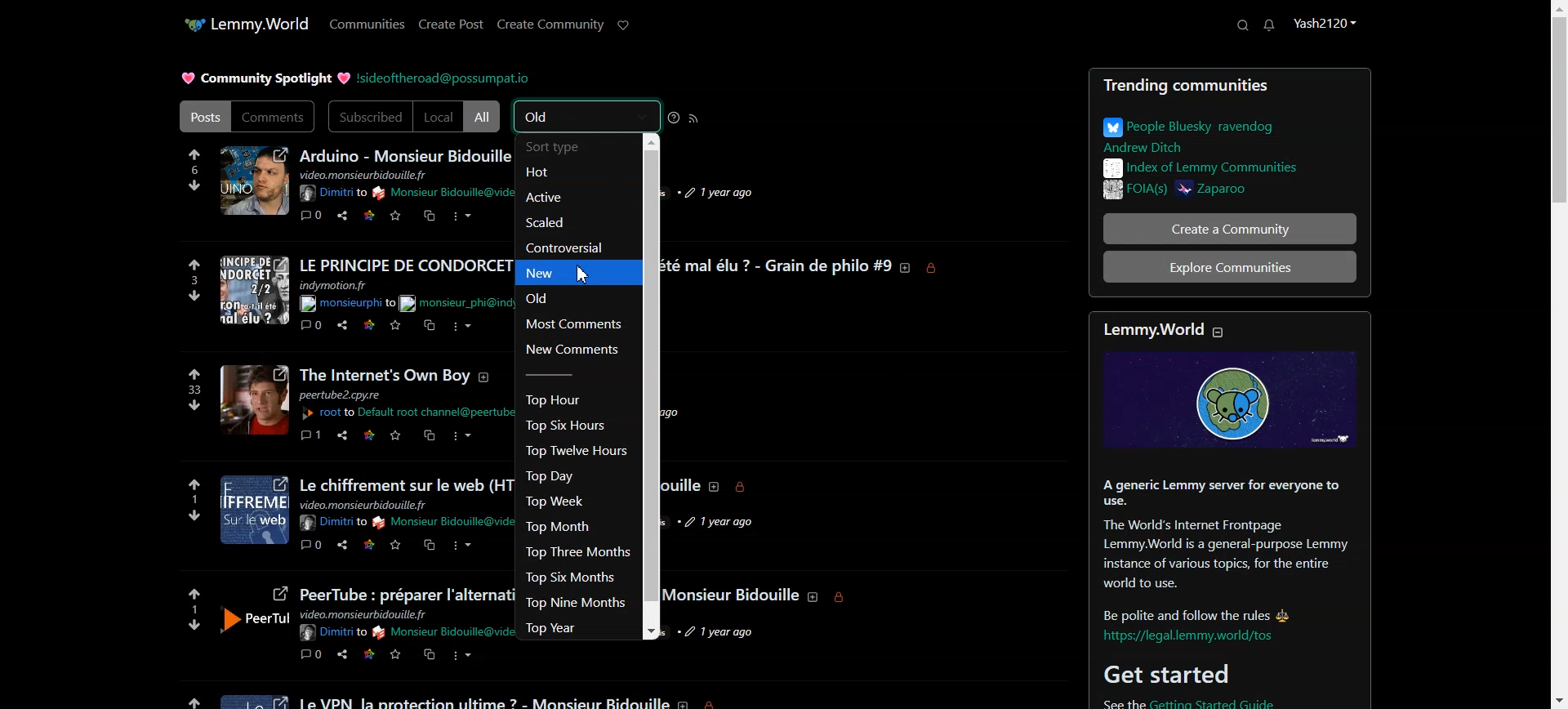 The width and height of the screenshot is (1568, 709). I want to click on upvote, so click(197, 372).